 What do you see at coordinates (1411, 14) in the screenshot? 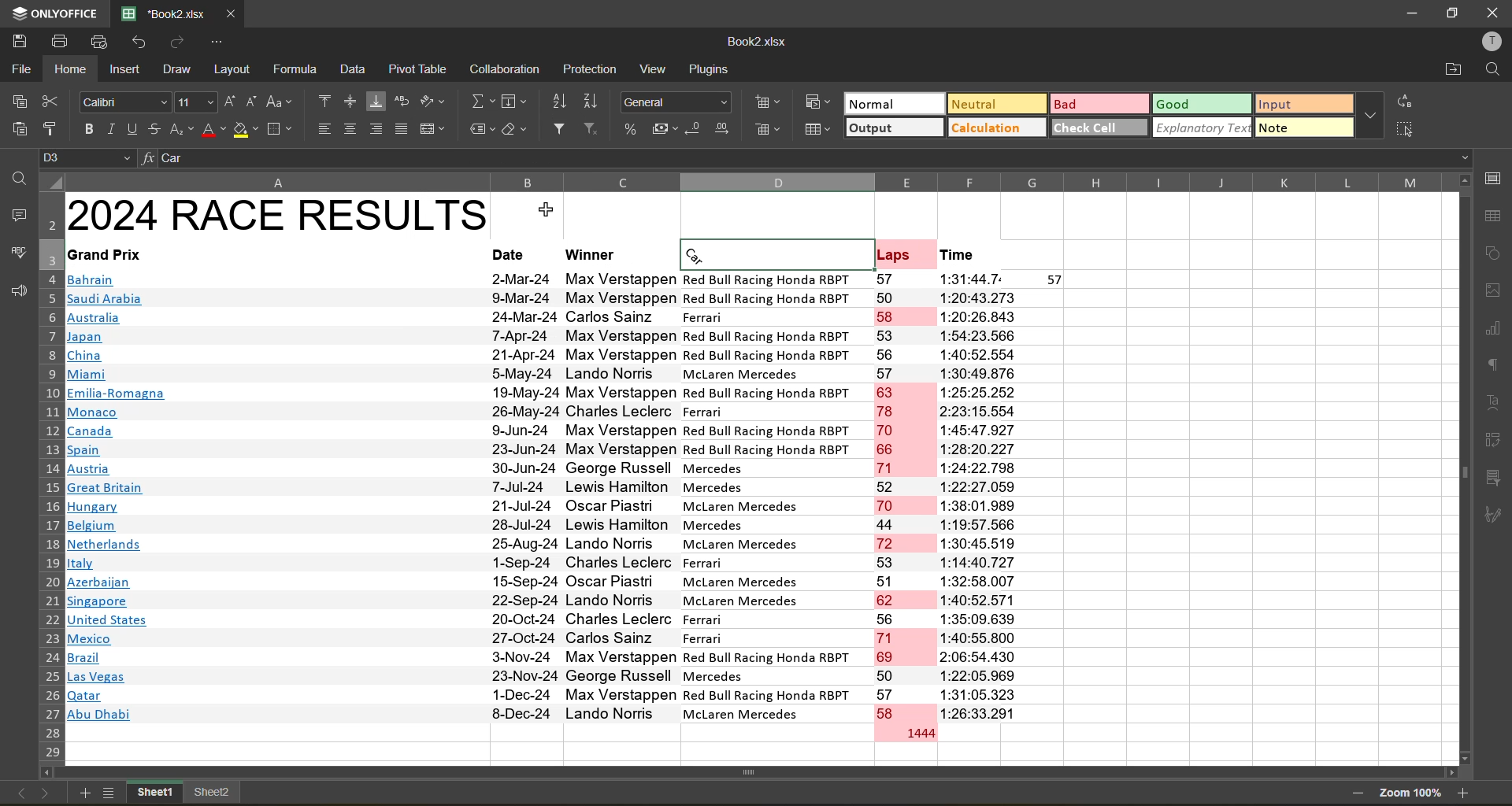
I see `minimize` at bounding box center [1411, 14].